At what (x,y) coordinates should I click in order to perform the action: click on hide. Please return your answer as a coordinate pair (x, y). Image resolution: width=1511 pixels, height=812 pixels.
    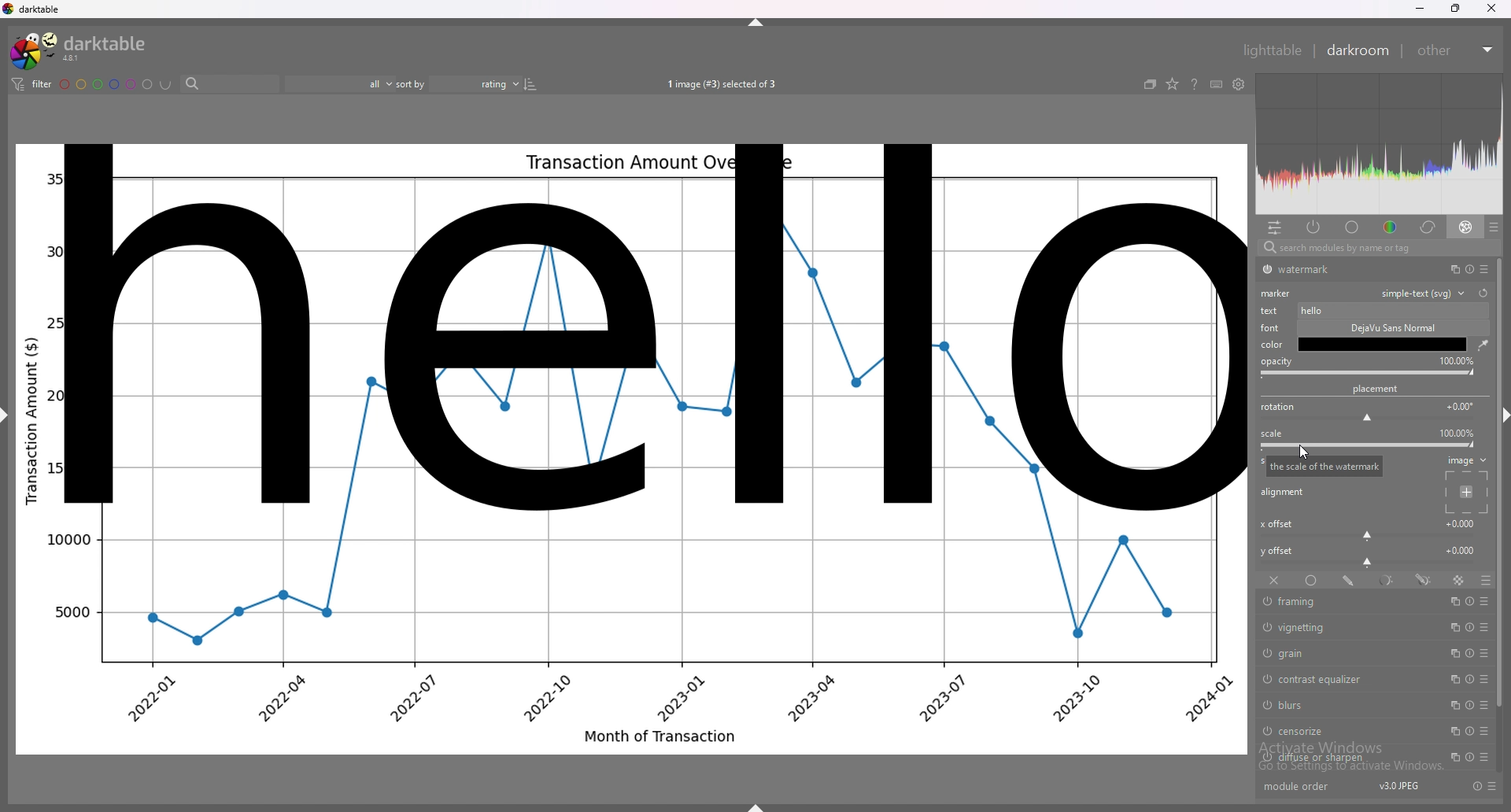
    Looking at the image, I should click on (755, 806).